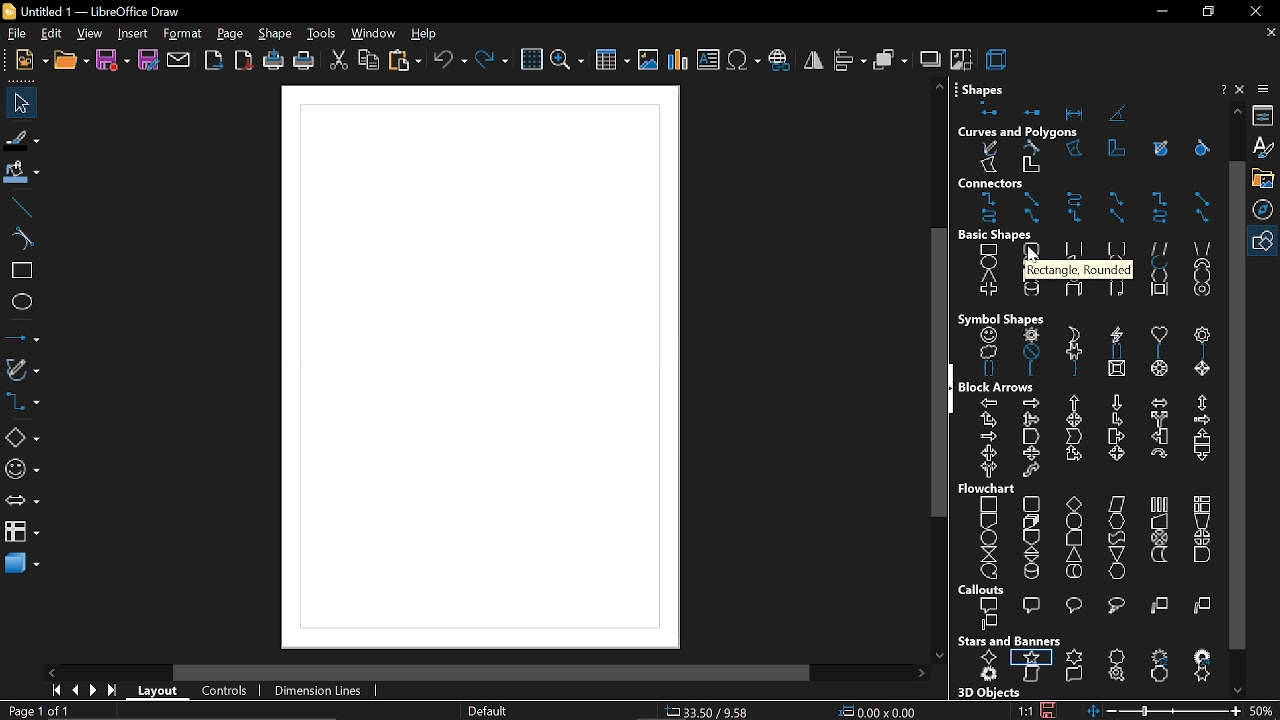 This screenshot has height=720, width=1280. What do you see at coordinates (531, 60) in the screenshot?
I see `grid` at bounding box center [531, 60].